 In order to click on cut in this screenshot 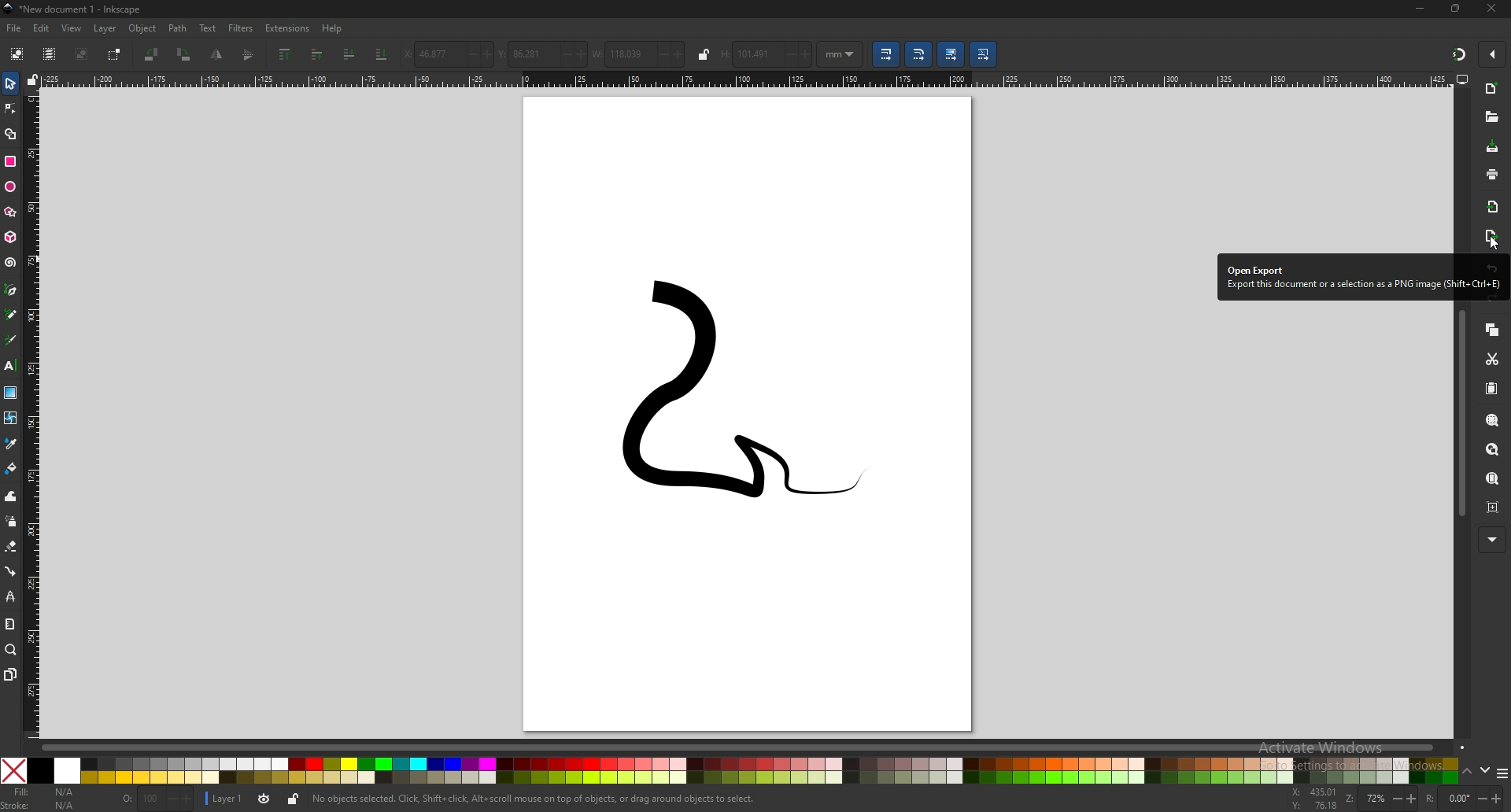, I will do `click(1493, 359)`.